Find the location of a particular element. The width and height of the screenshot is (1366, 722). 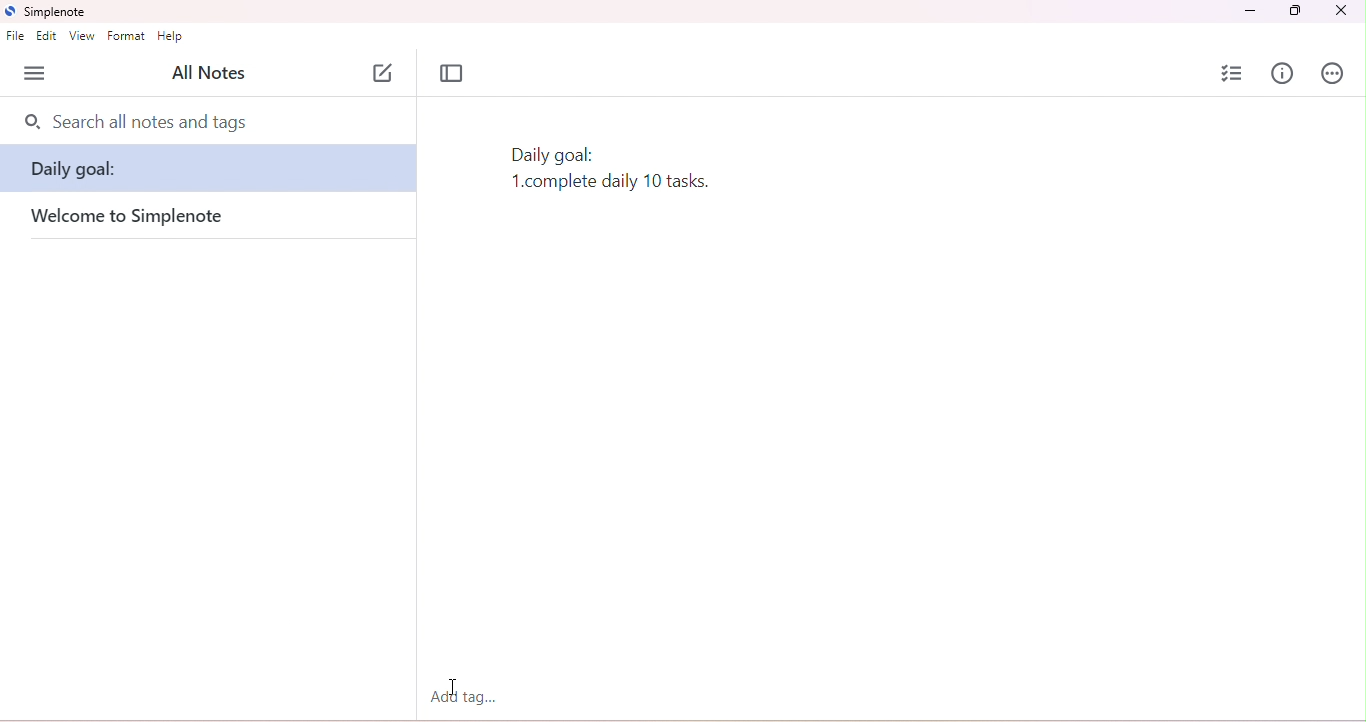

close is located at coordinates (1340, 11).